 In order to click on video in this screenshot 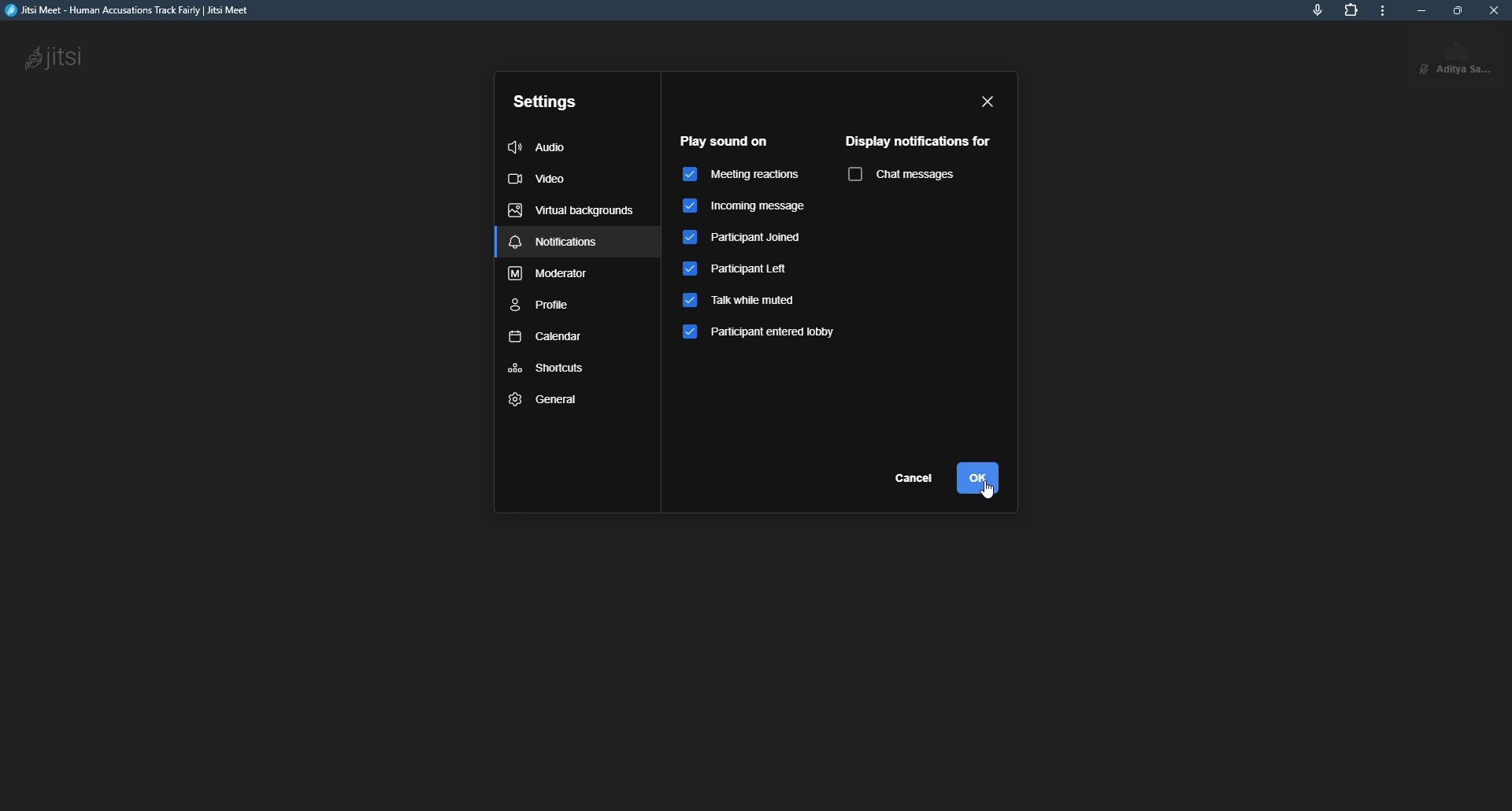, I will do `click(540, 179)`.